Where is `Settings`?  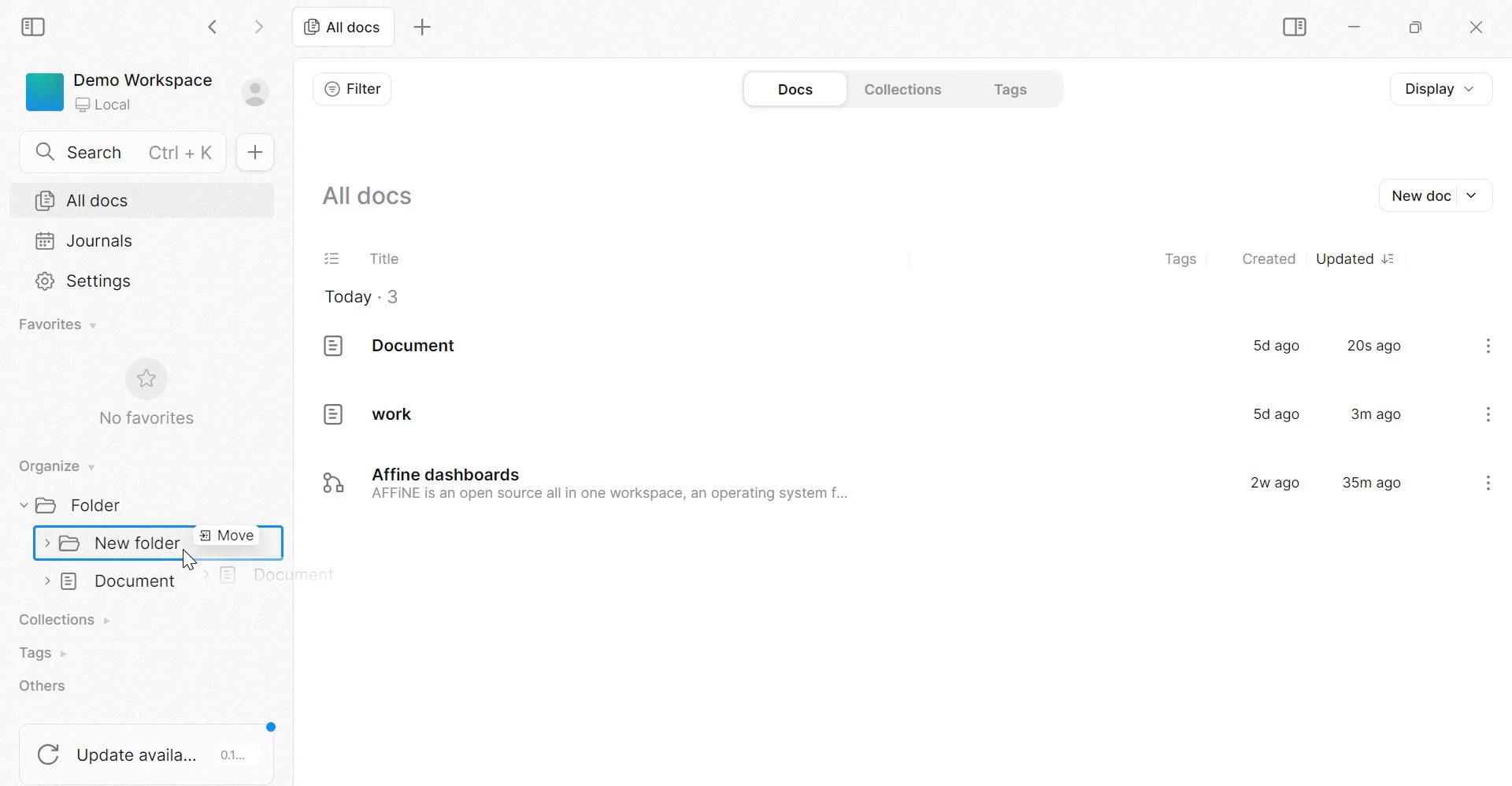
Settings is located at coordinates (85, 281).